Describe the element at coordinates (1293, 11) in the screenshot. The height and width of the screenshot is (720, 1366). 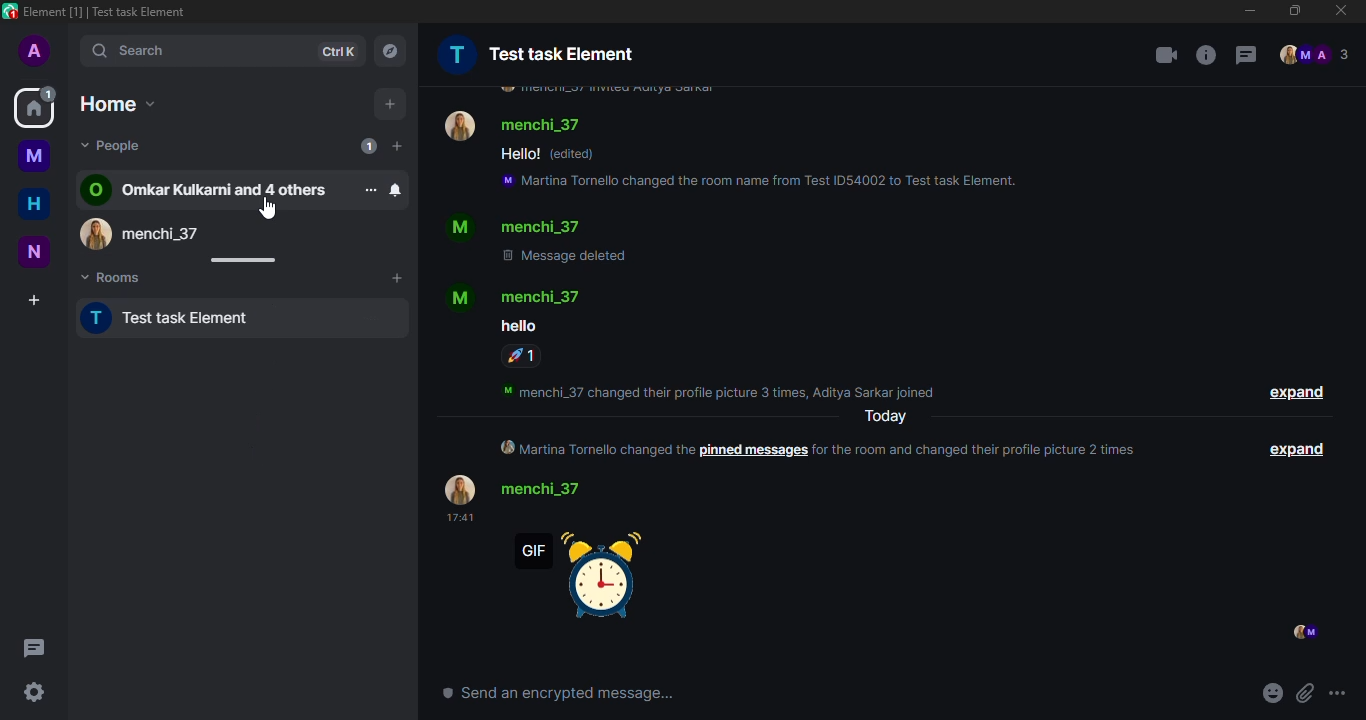
I see `maximize` at that location.